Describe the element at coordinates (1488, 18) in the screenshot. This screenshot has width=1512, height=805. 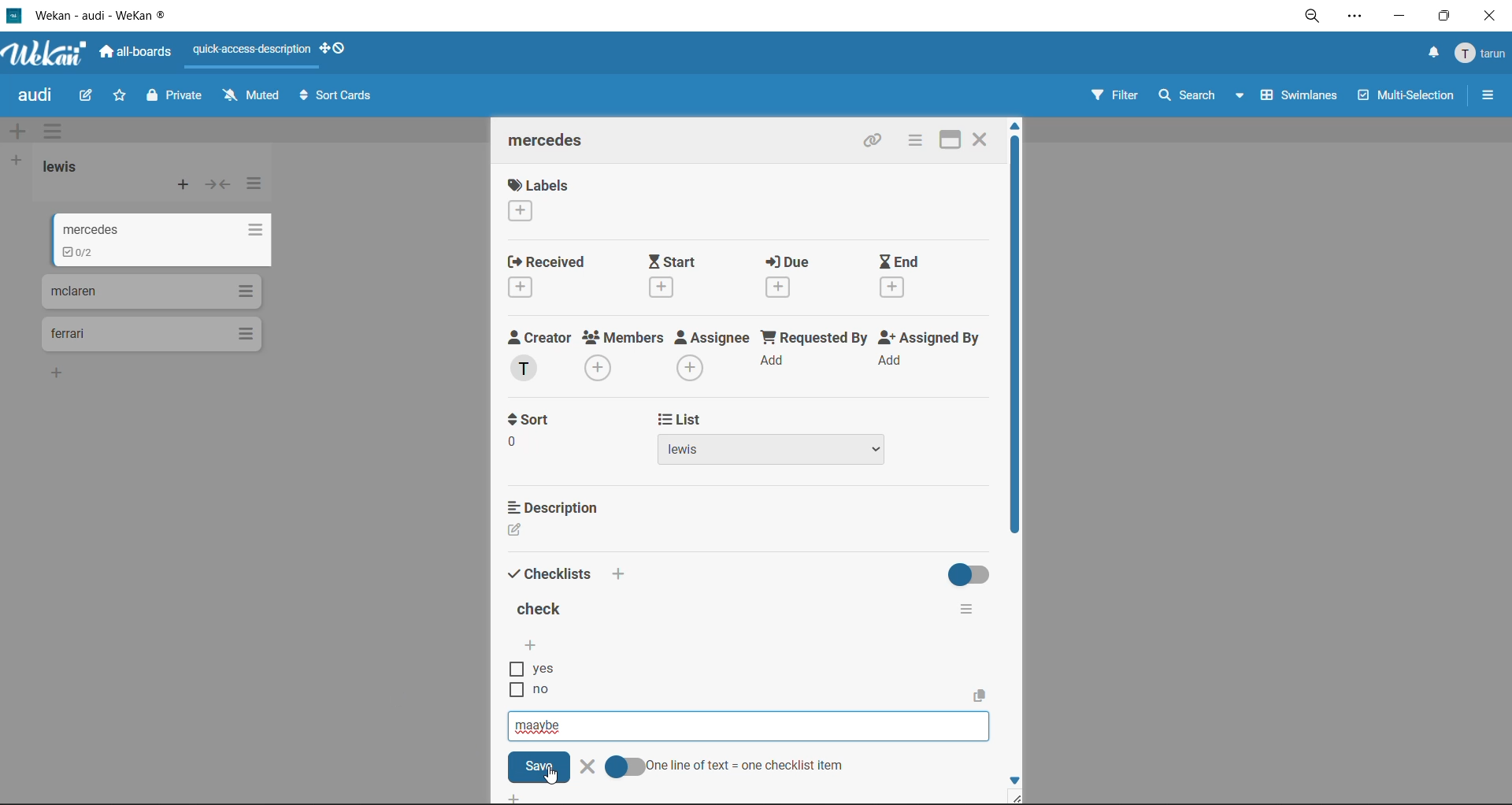
I see `close` at that location.